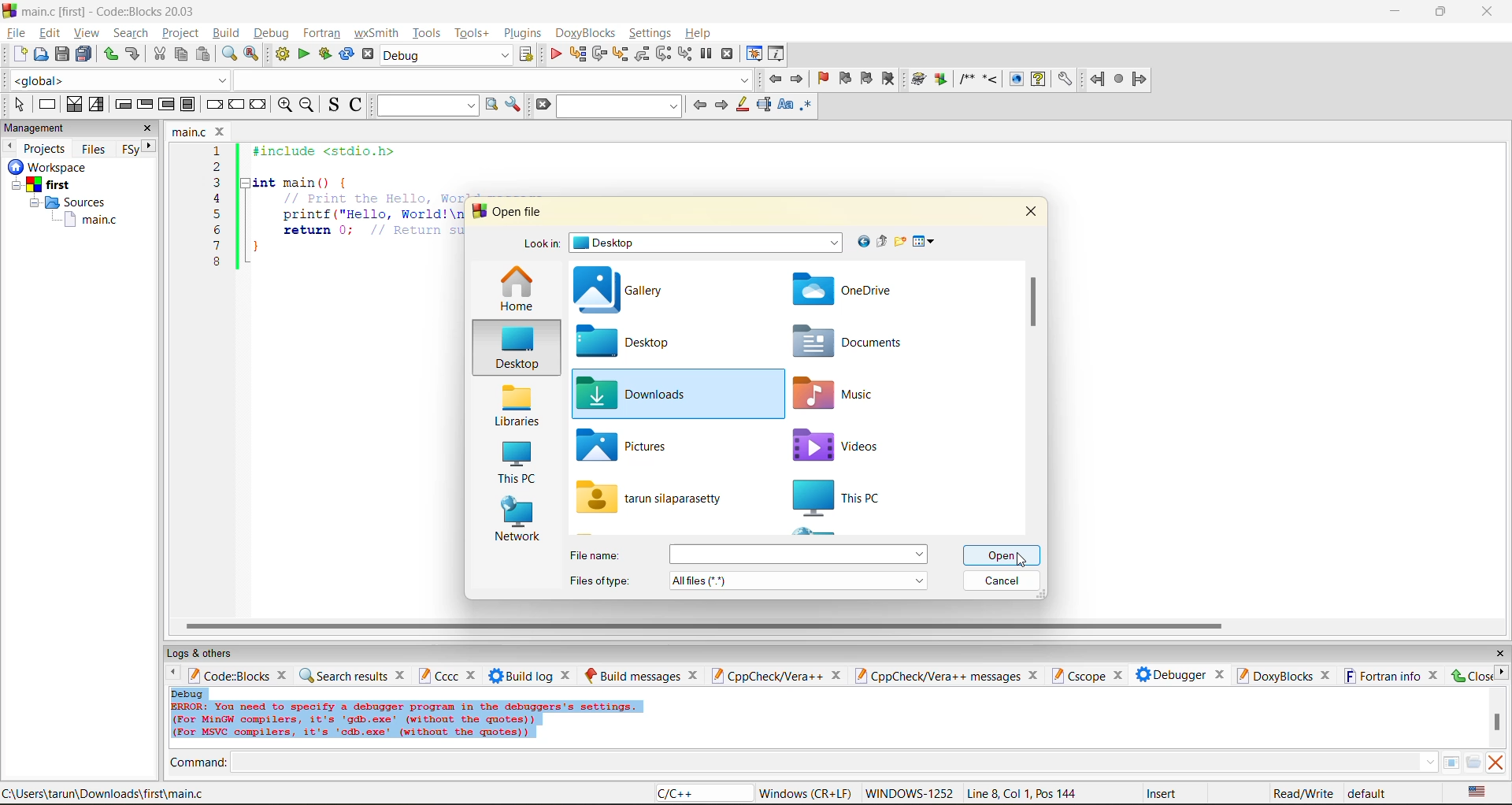 The height and width of the screenshot is (805, 1512). Describe the element at coordinates (322, 33) in the screenshot. I see `fortran` at that location.